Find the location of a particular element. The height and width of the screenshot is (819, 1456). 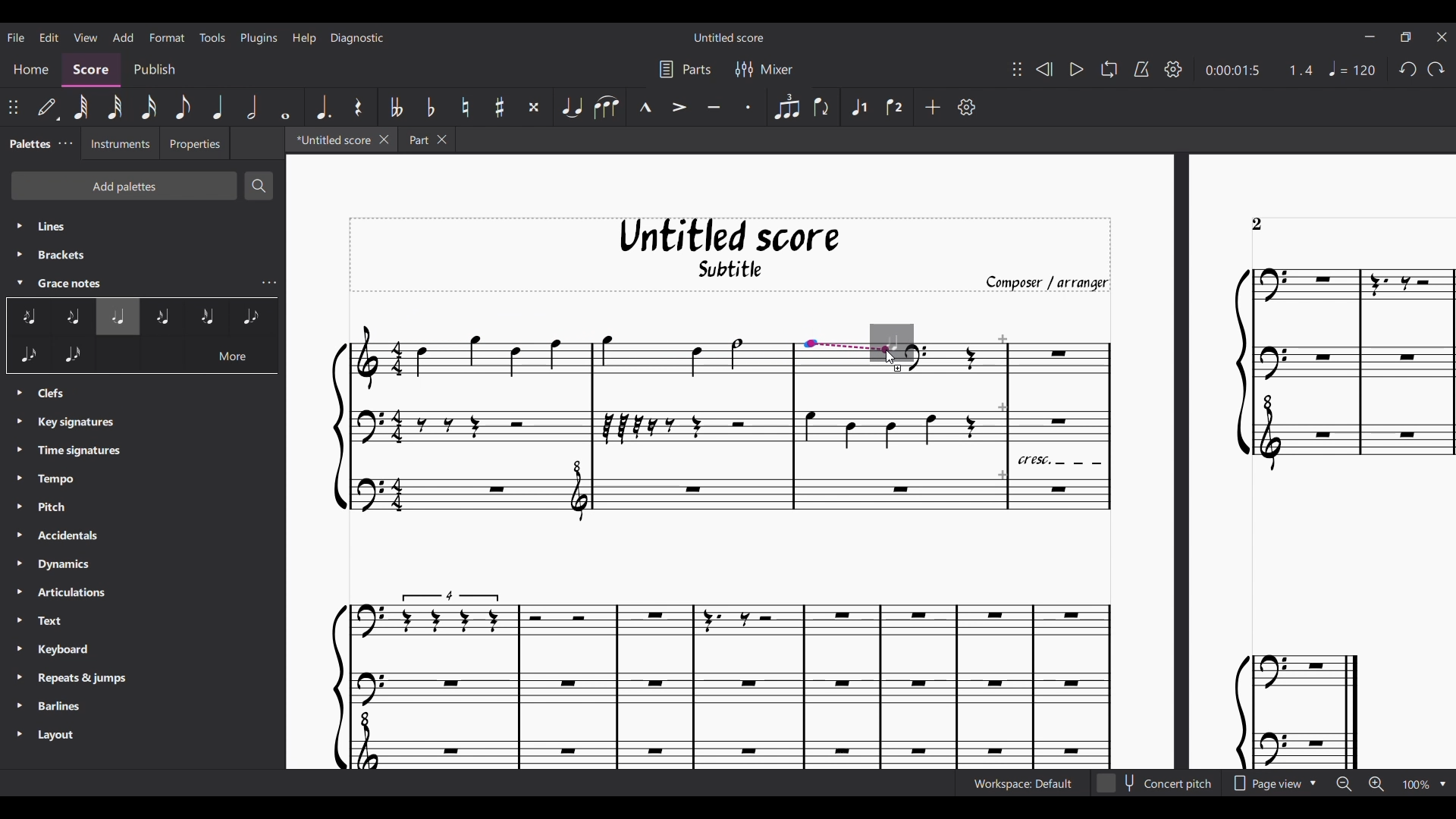

Current zoom factor is located at coordinates (1416, 784).